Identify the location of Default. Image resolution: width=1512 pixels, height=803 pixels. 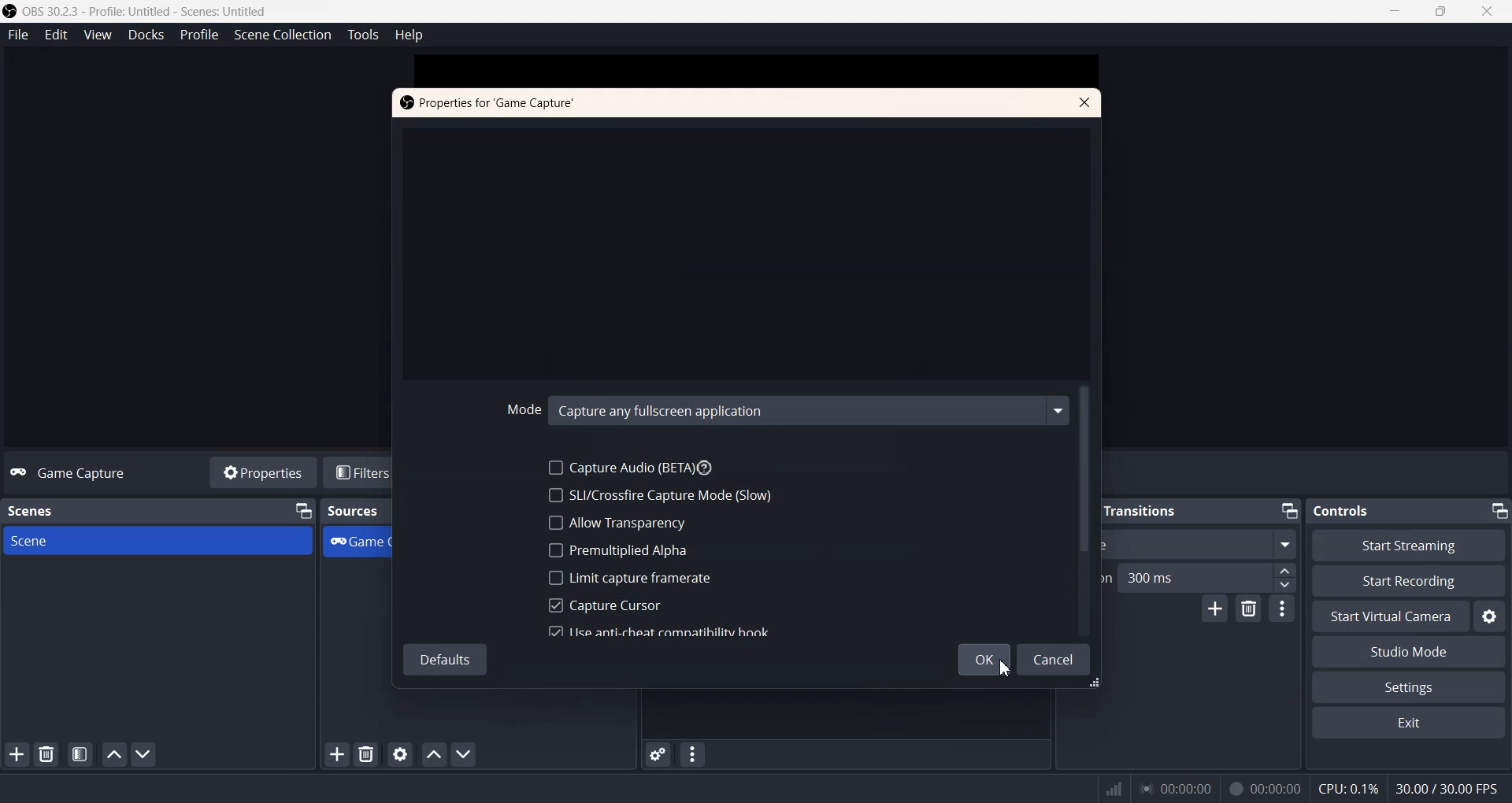
(447, 661).